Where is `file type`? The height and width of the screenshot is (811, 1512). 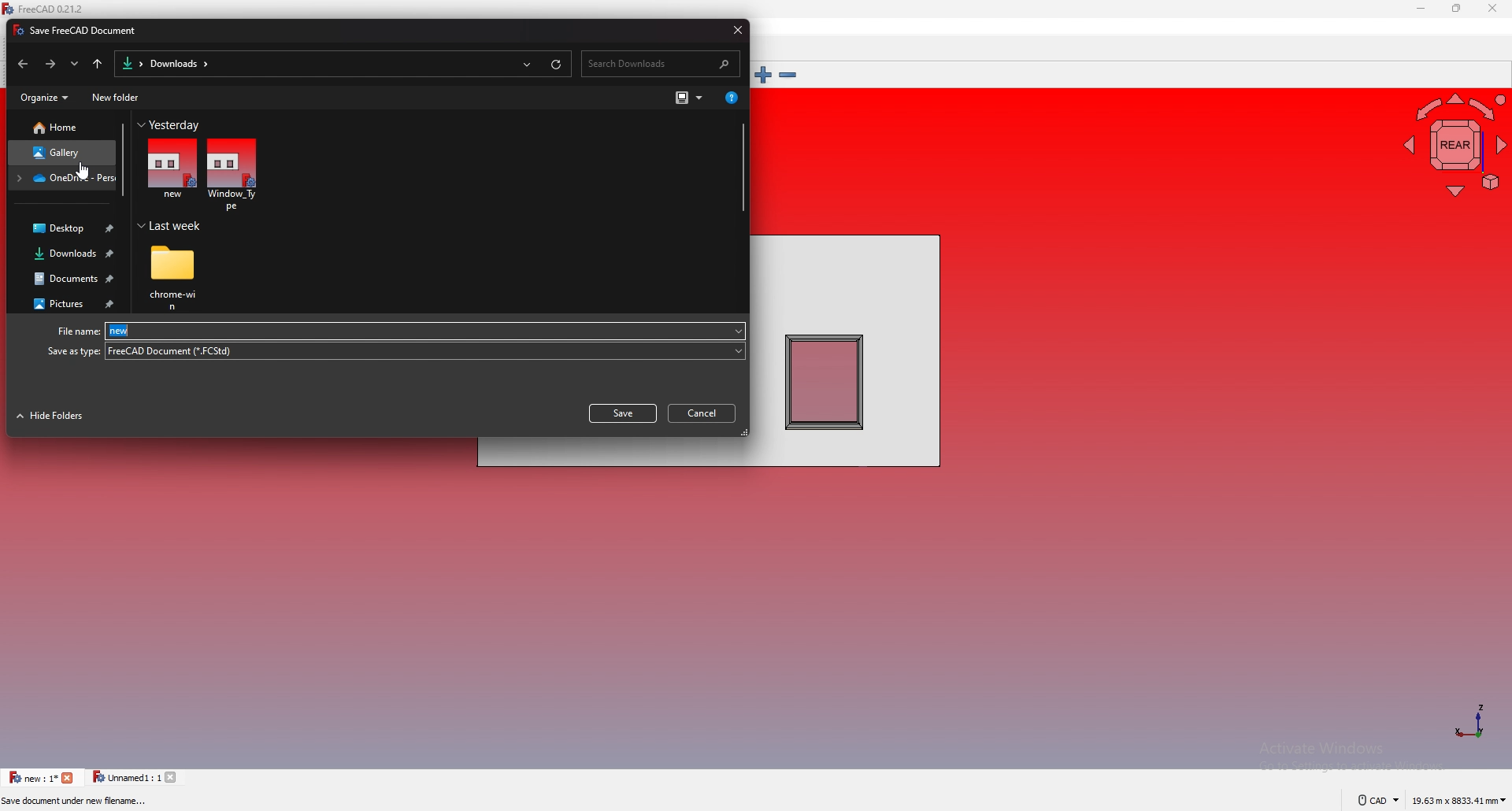
file type is located at coordinates (425, 350).